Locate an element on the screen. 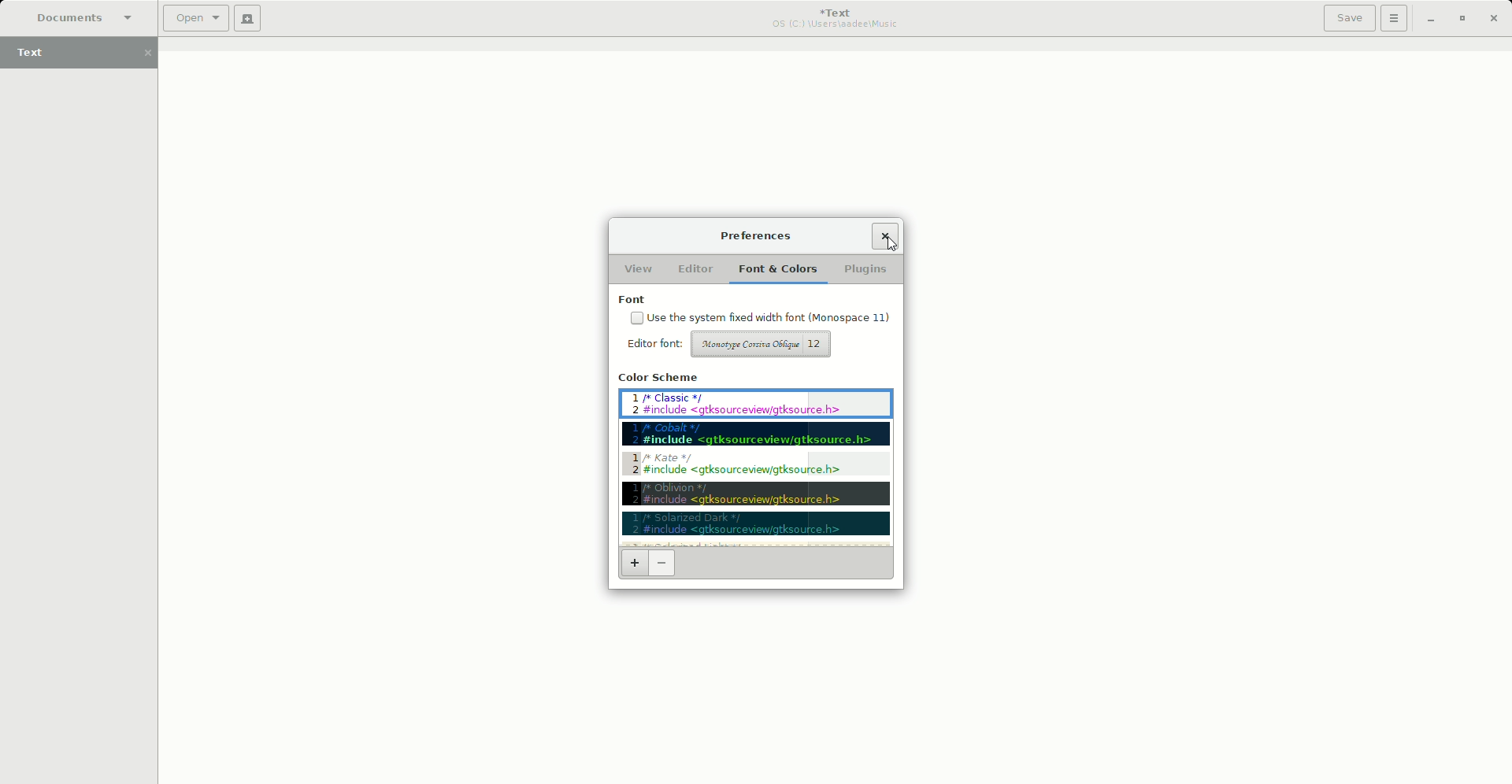  Close is located at coordinates (1495, 19).